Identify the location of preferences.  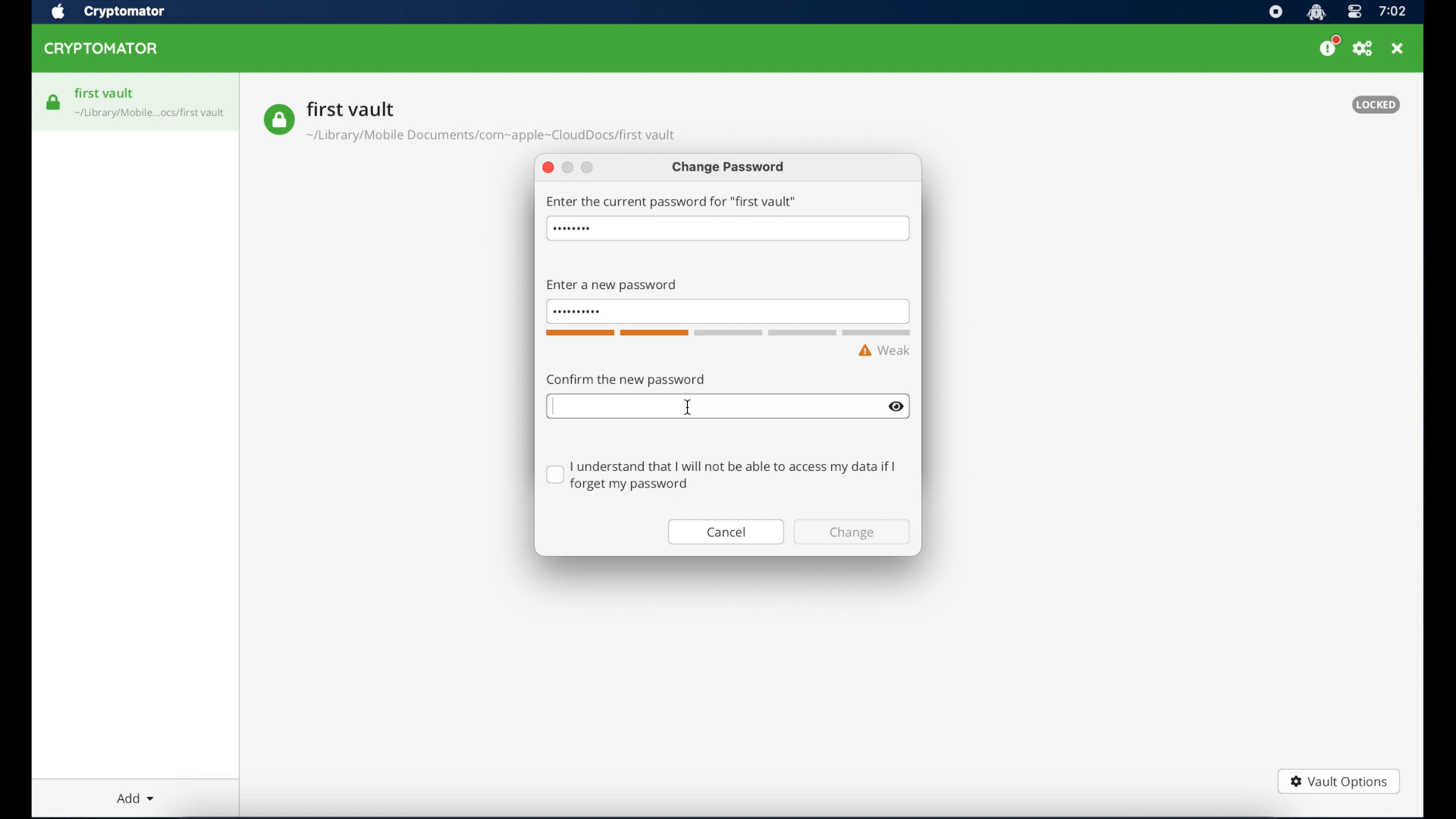
(1363, 49).